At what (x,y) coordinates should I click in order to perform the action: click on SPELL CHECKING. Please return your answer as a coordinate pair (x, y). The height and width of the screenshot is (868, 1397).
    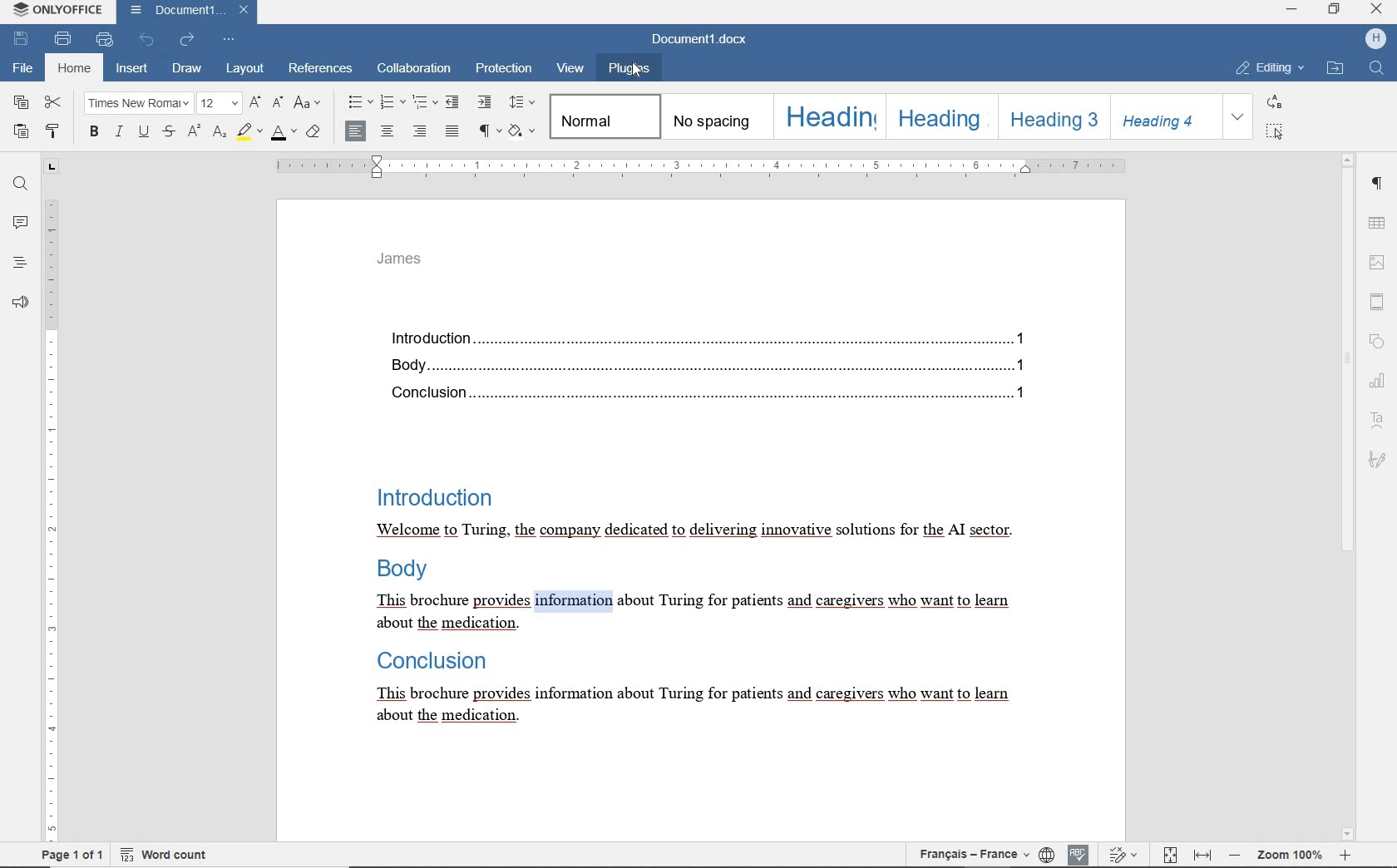
    Looking at the image, I should click on (1079, 852).